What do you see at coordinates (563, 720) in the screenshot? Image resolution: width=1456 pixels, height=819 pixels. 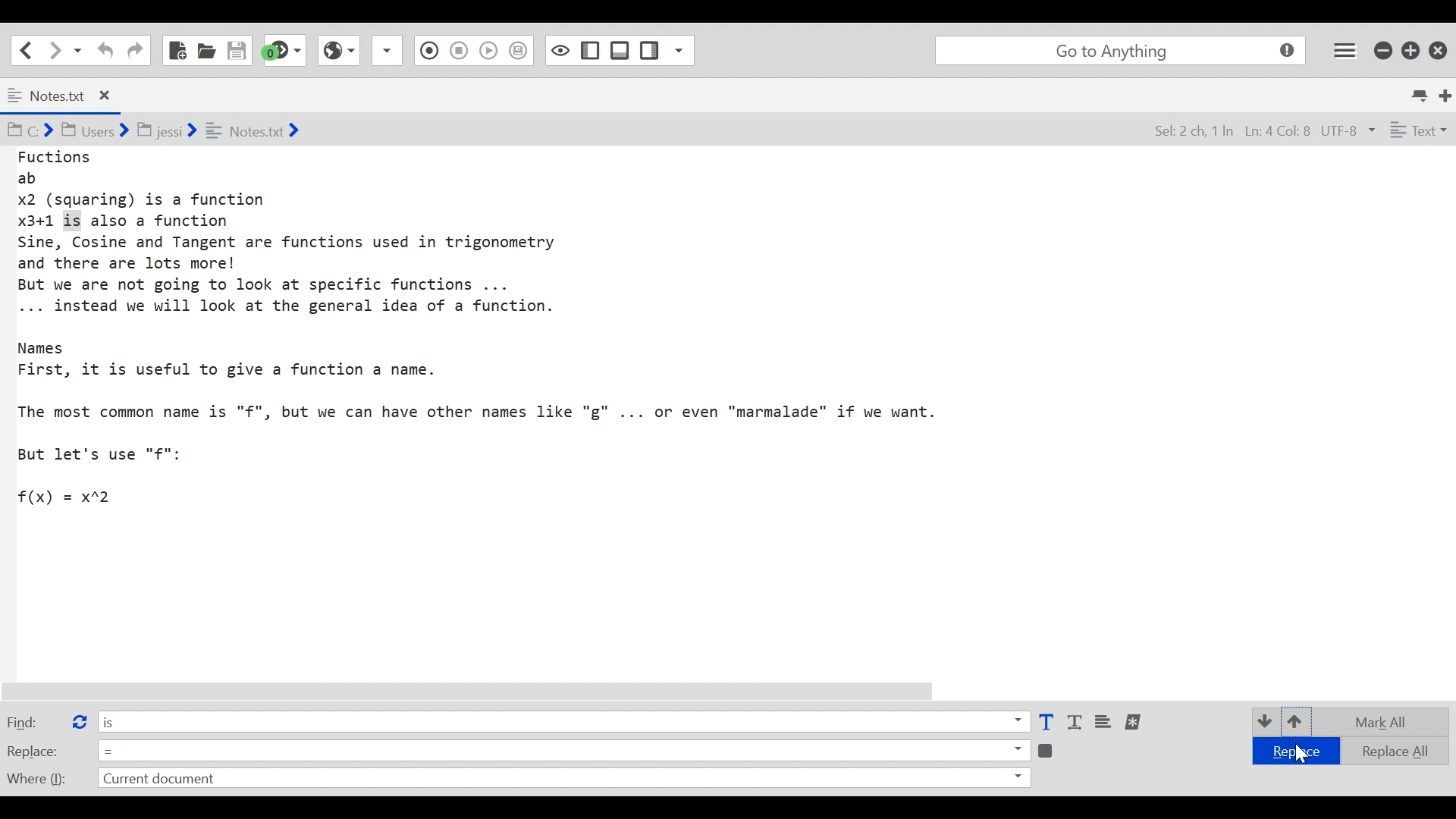 I see `is` at bounding box center [563, 720].